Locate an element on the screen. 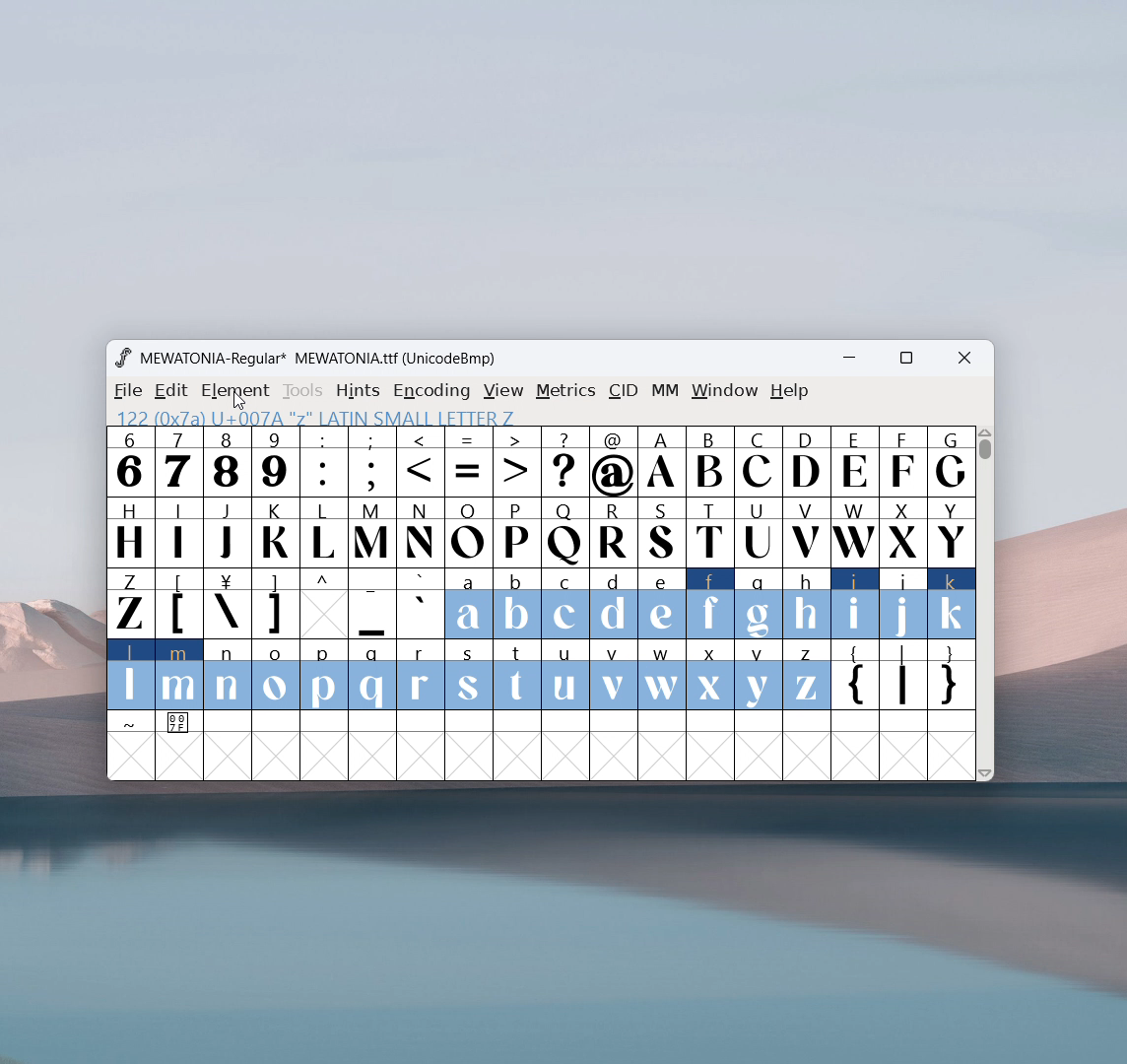  < is located at coordinates (423, 463).